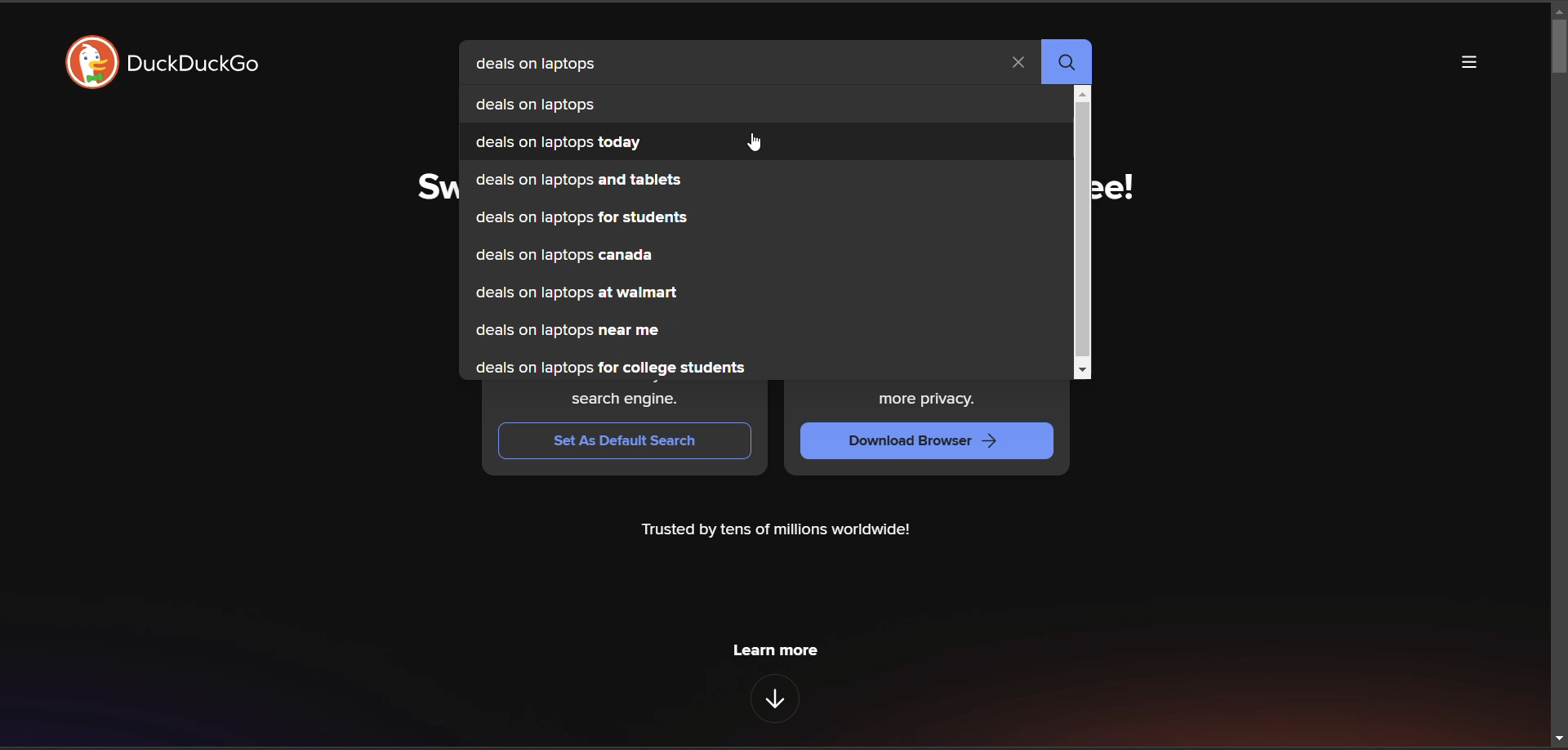 The width and height of the screenshot is (1568, 750). Describe the element at coordinates (774, 699) in the screenshot. I see `features` at that location.